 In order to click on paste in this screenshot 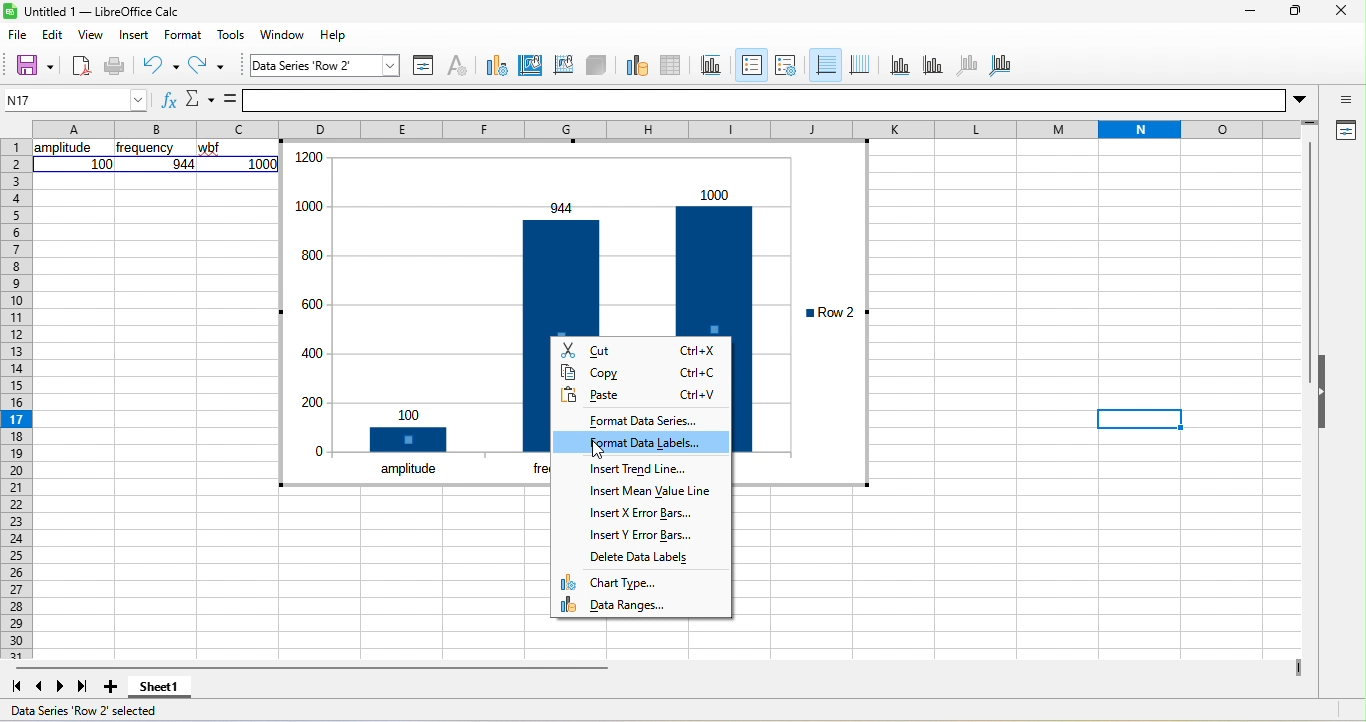, I will do `click(638, 397)`.